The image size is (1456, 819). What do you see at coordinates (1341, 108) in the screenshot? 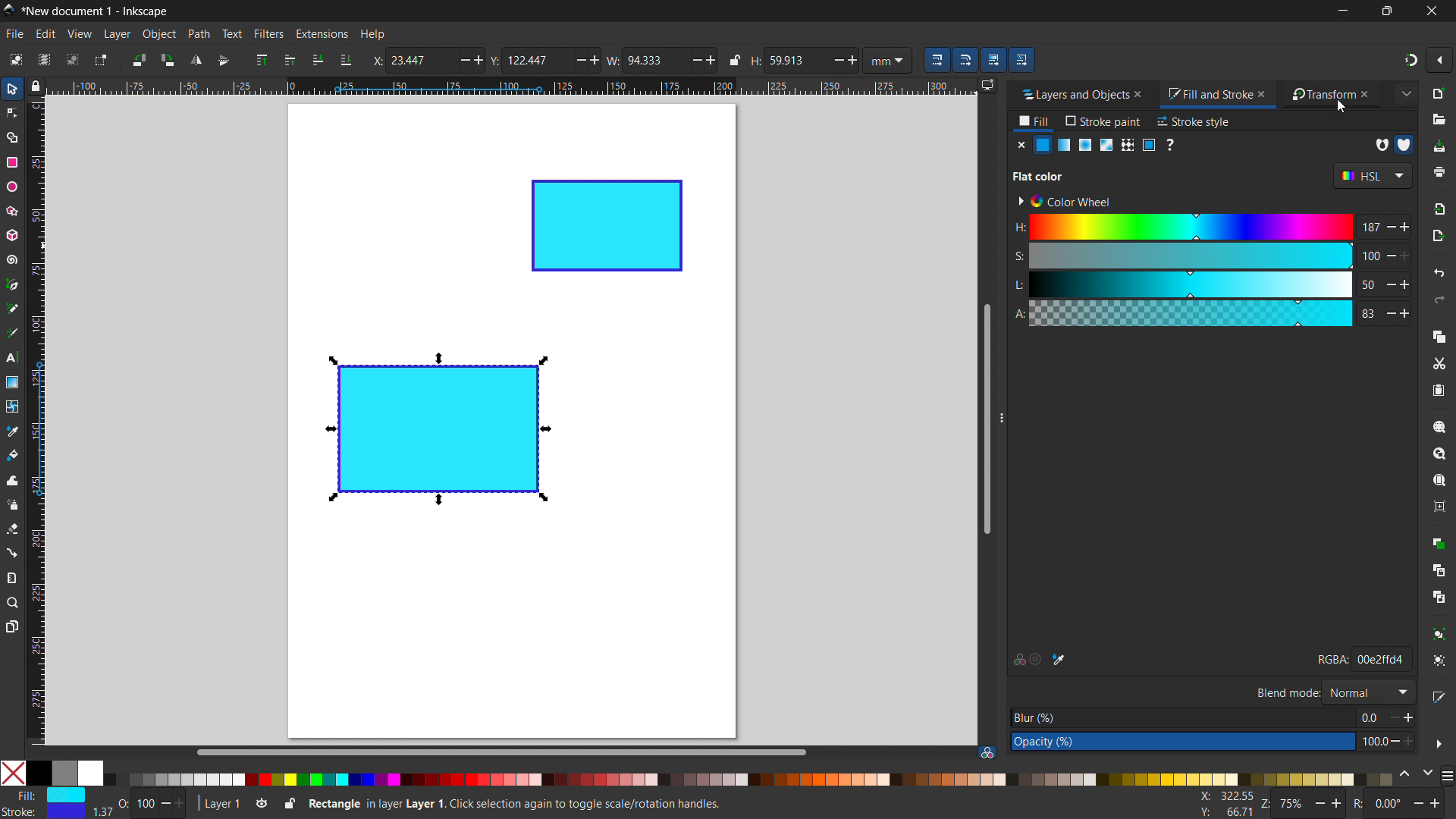
I see `cursor` at bounding box center [1341, 108].